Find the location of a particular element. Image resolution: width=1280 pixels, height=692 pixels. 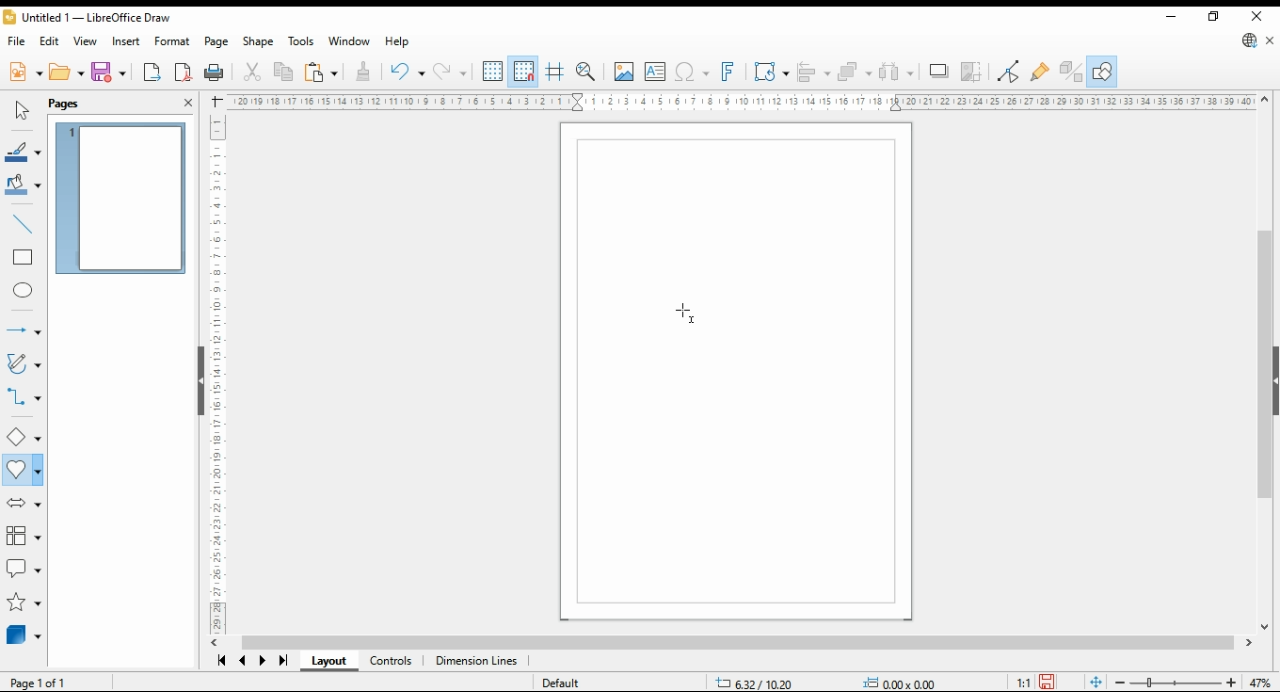

basic shapes is located at coordinates (23, 436).